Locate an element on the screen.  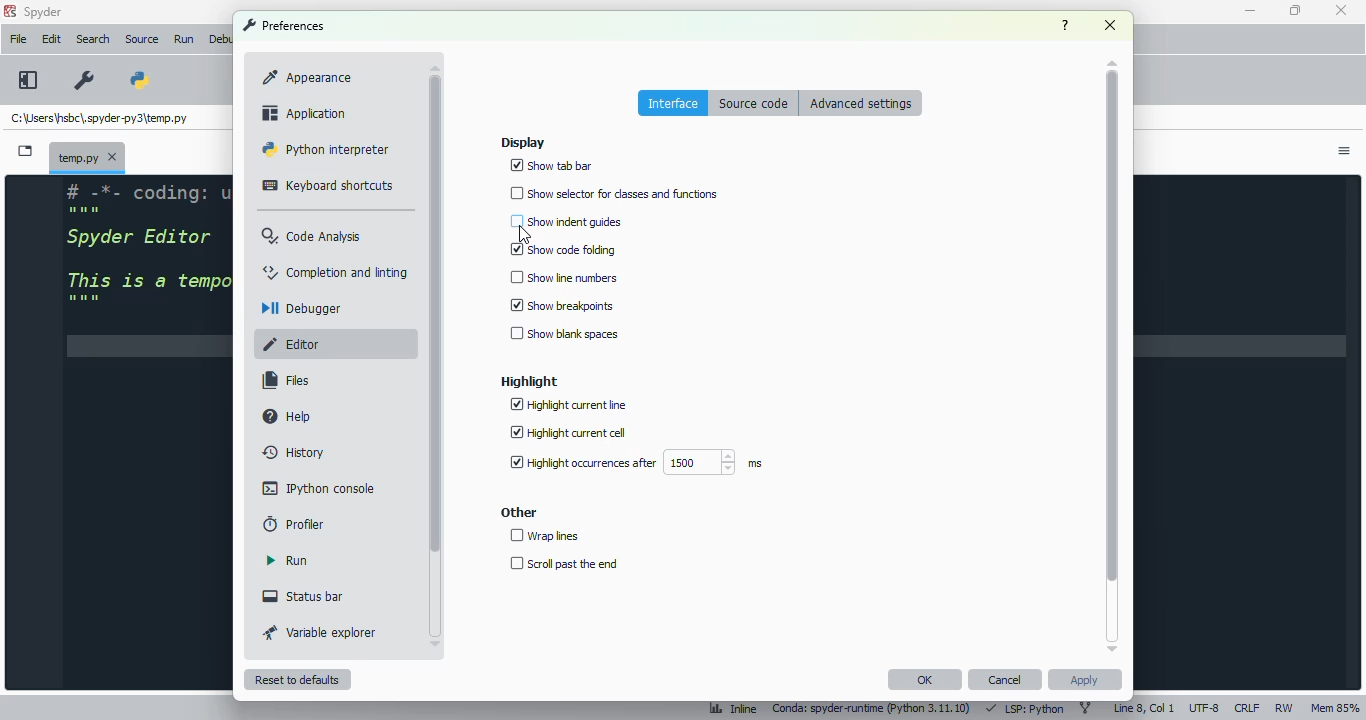
scroll past the end is located at coordinates (563, 563).